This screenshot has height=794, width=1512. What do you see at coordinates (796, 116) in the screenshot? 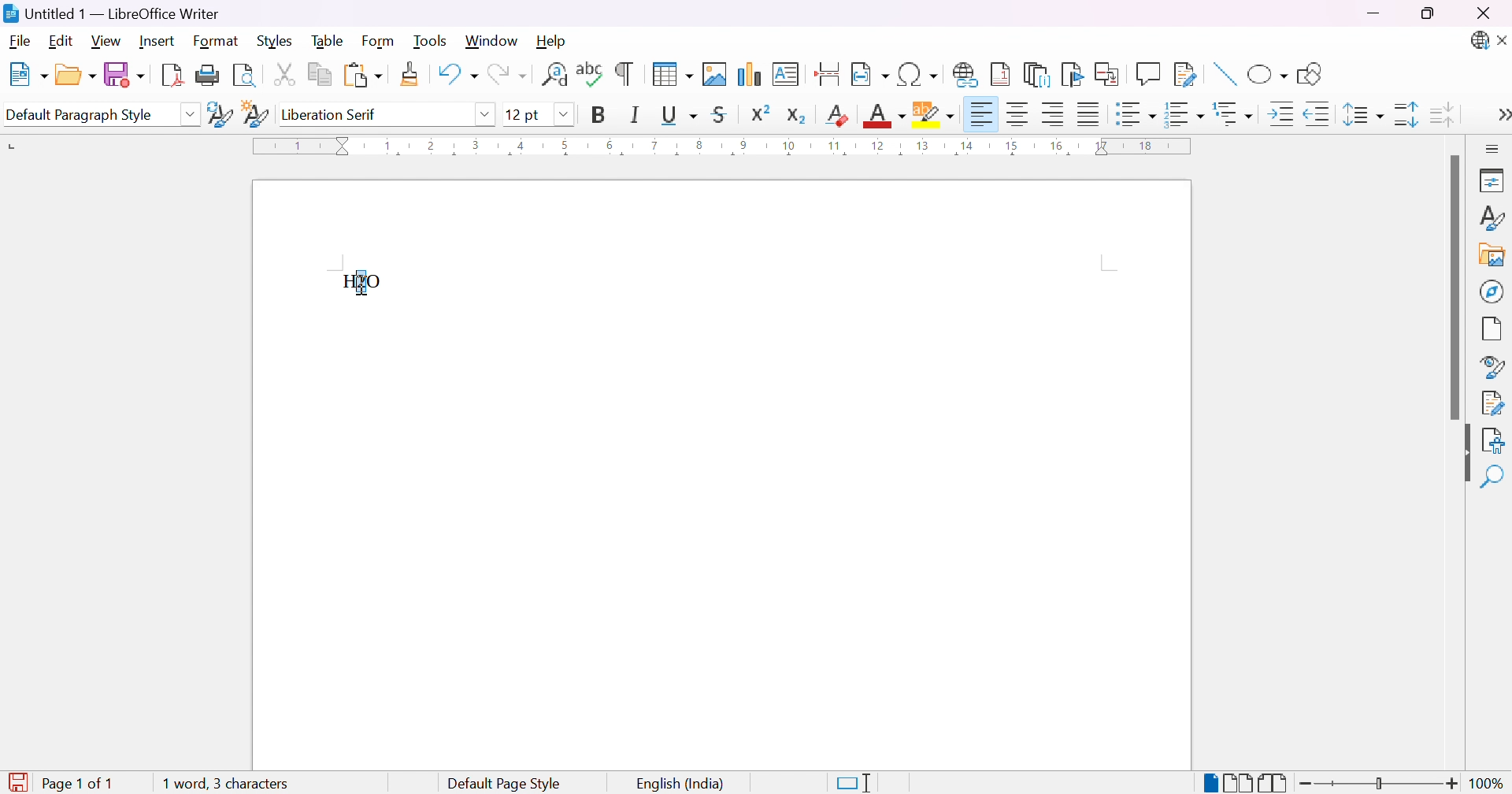
I see `Subscript` at bounding box center [796, 116].